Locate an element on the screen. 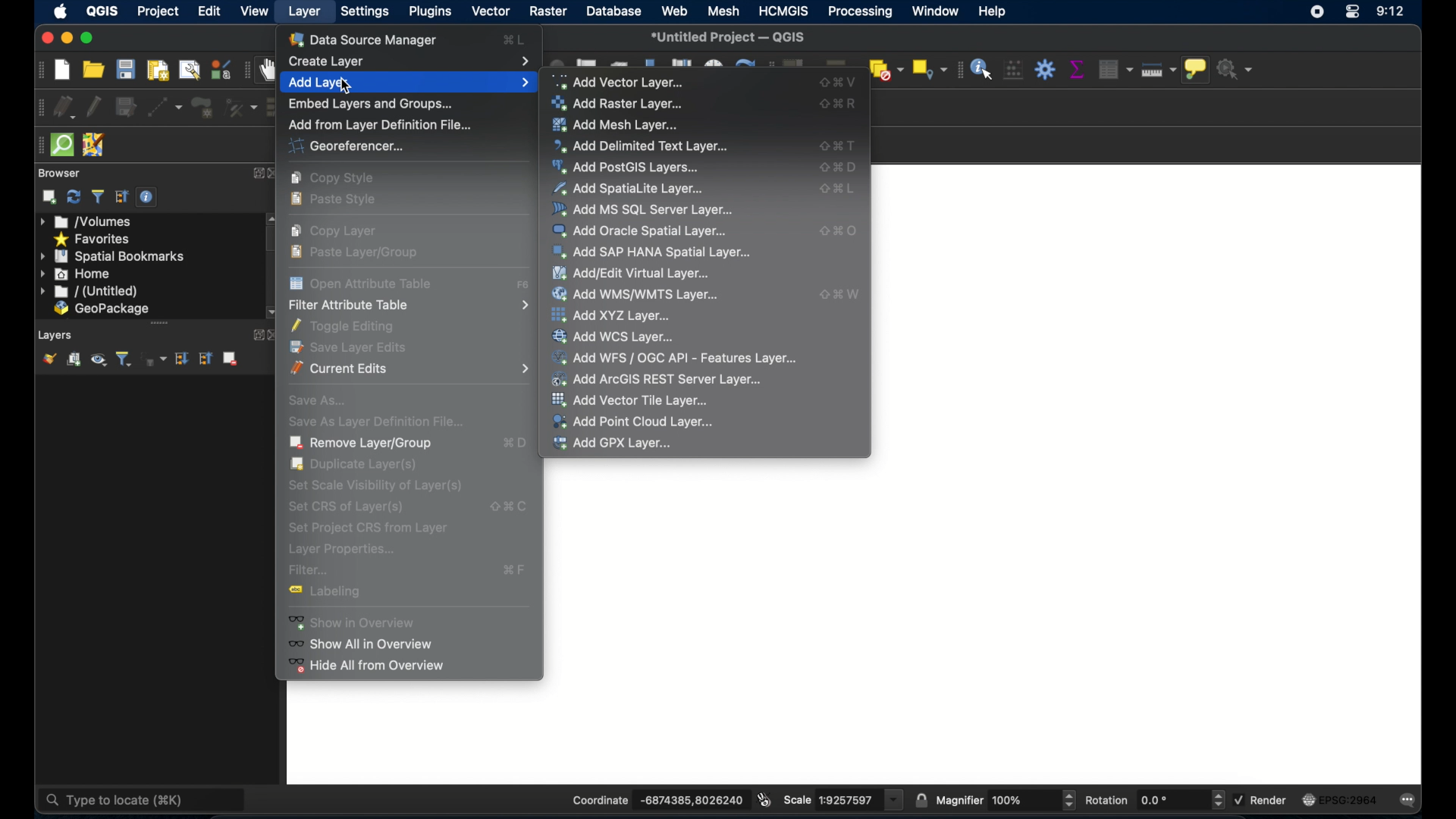 The width and height of the screenshot is (1456, 819). Current Edits is located at coordinates (409, 370).